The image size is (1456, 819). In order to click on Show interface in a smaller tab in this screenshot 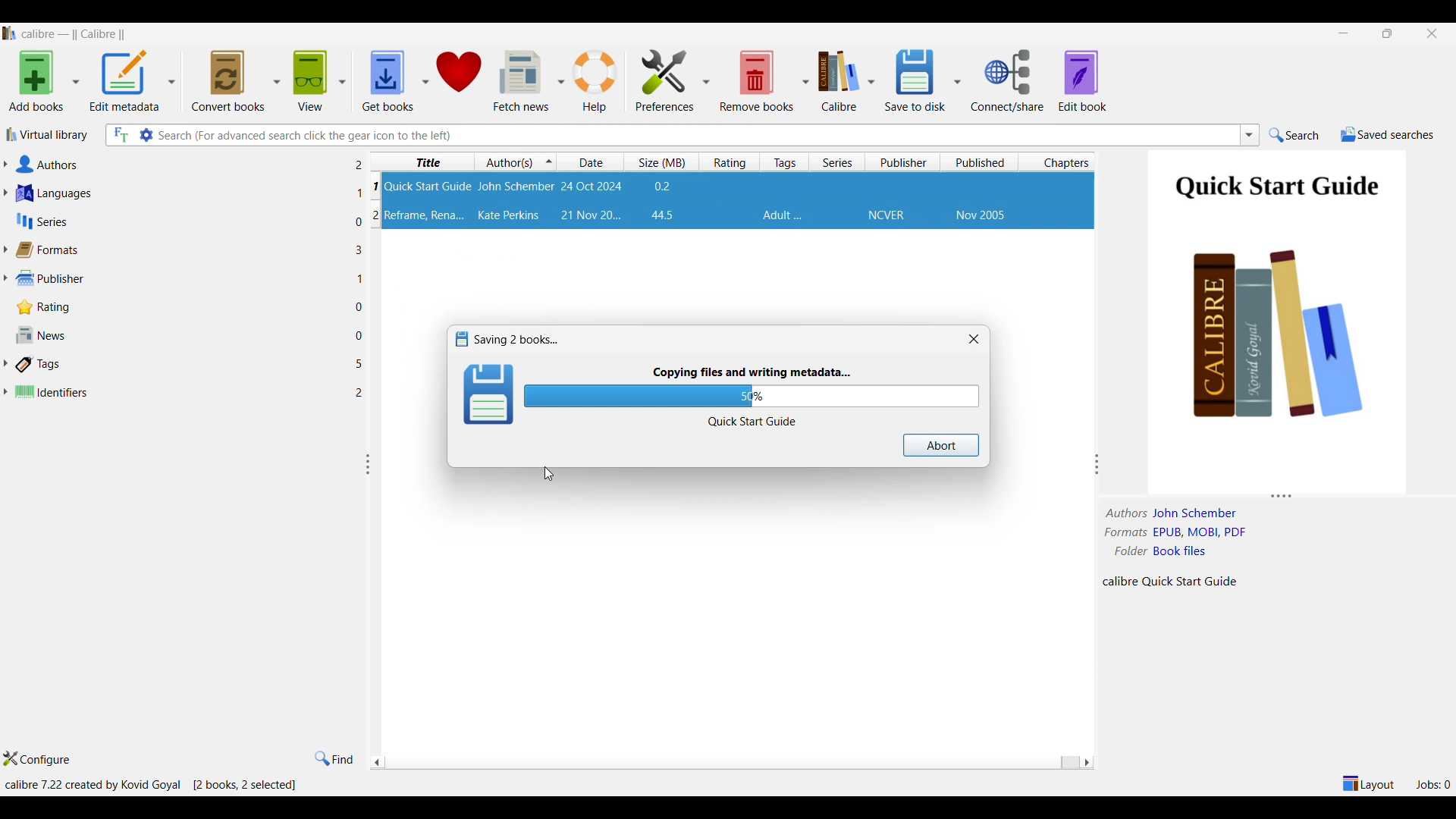, I will do `click(1388, 33)`.